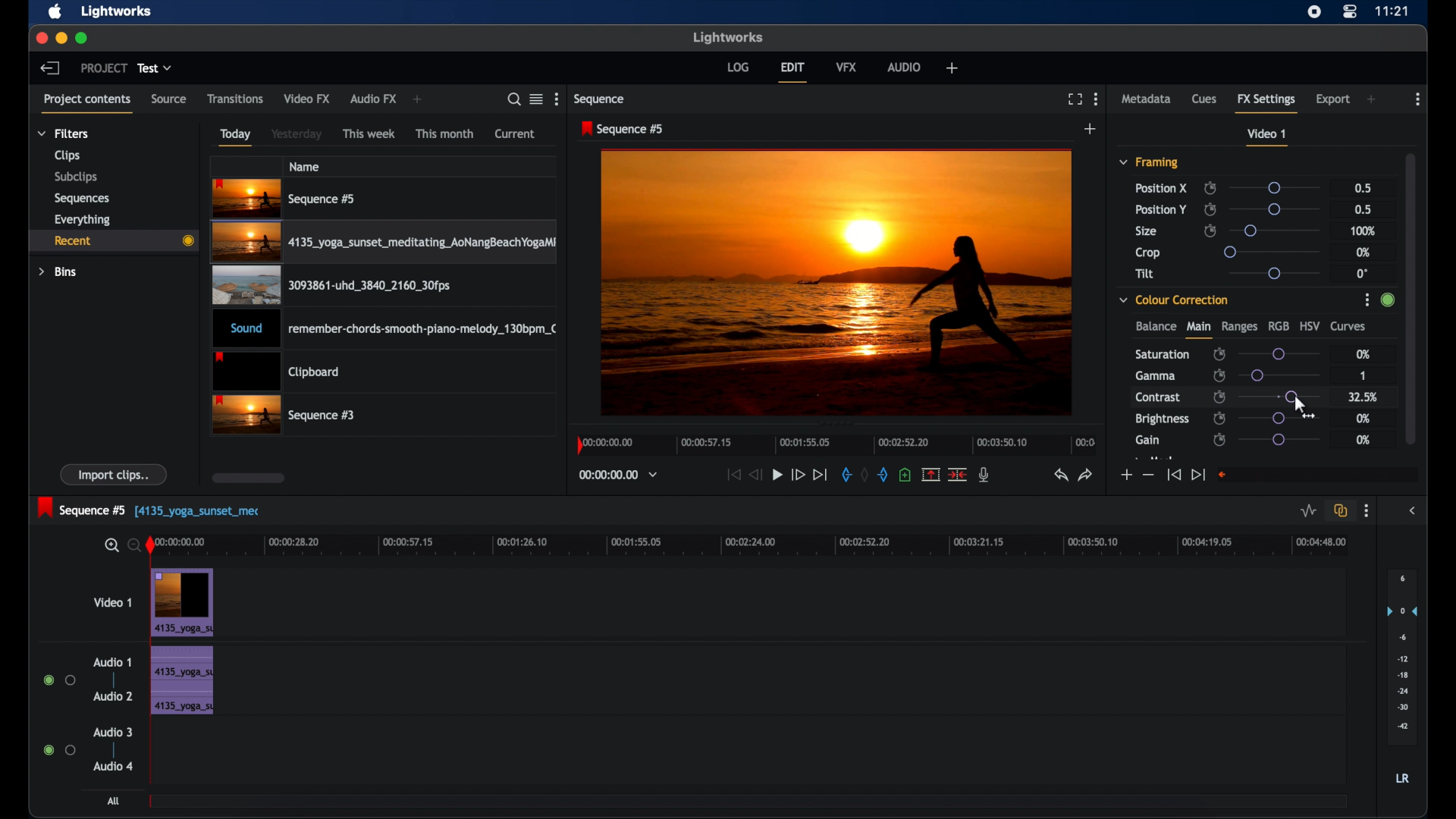  Describe the element at coordinates (757, 475) in the screenshot. I see `rewind` at that location.